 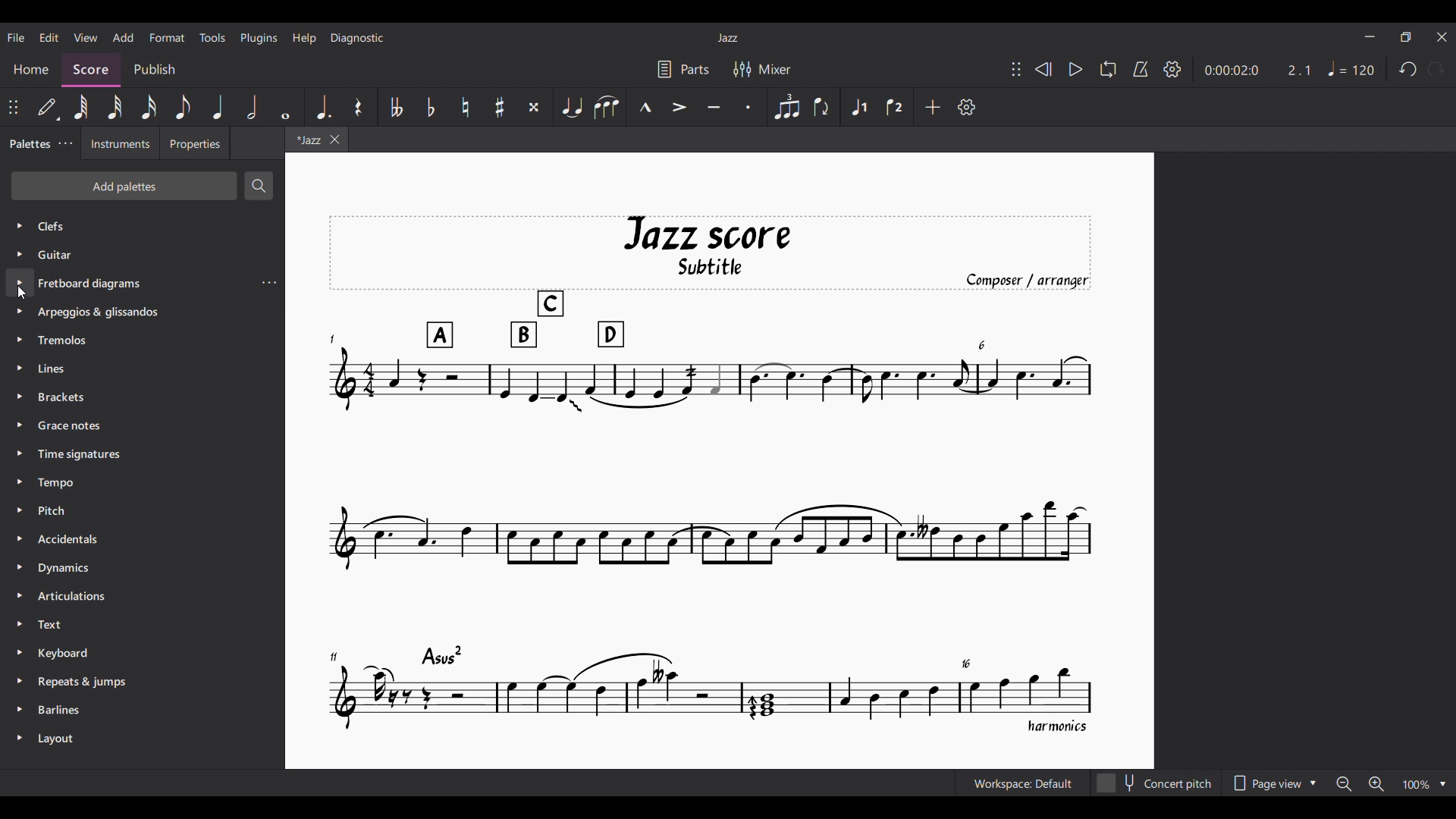 I want to click on Instruments, so click(x=121, y=143).